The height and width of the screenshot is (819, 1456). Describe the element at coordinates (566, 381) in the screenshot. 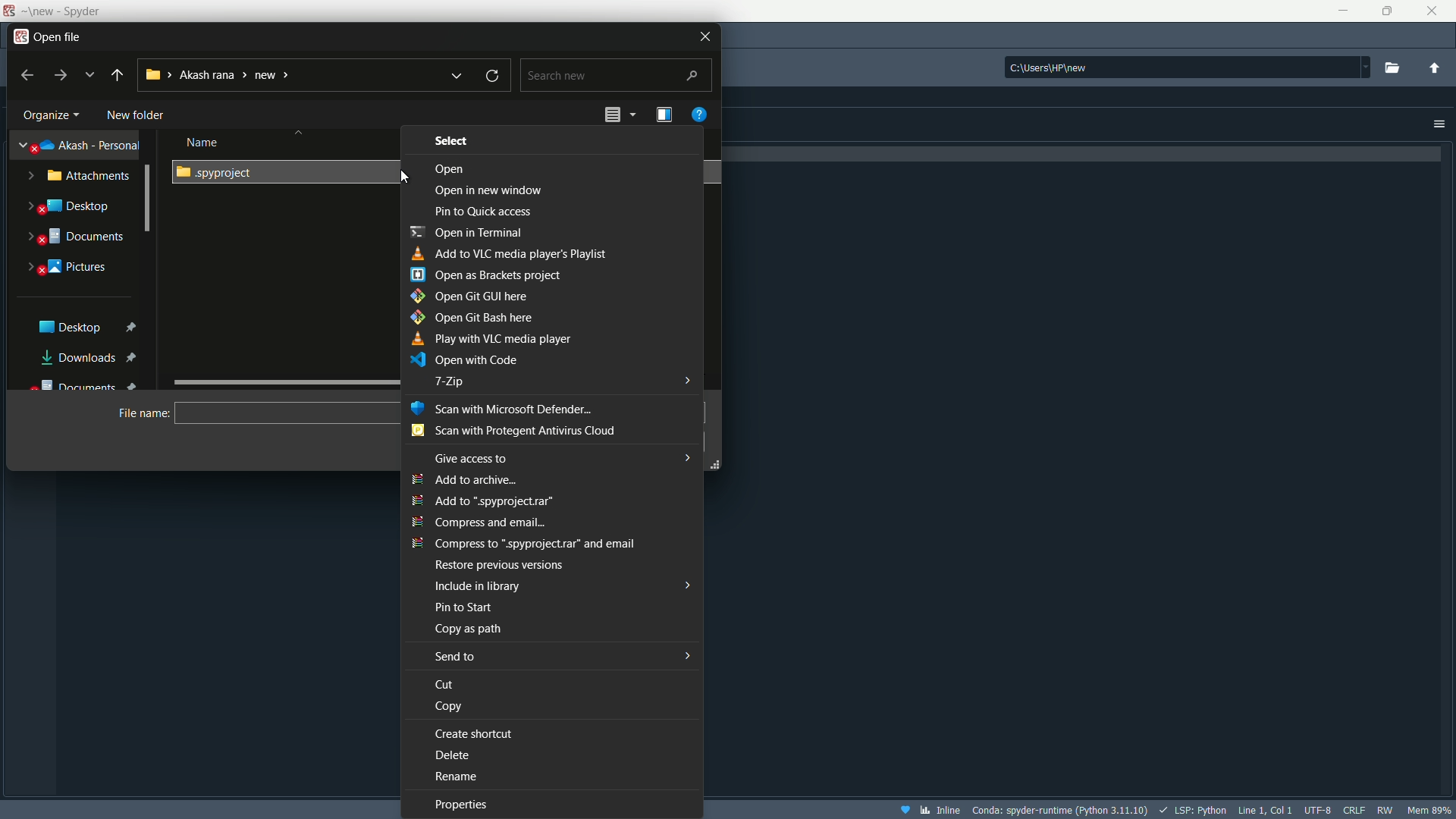

I see `7-zip` at that location.